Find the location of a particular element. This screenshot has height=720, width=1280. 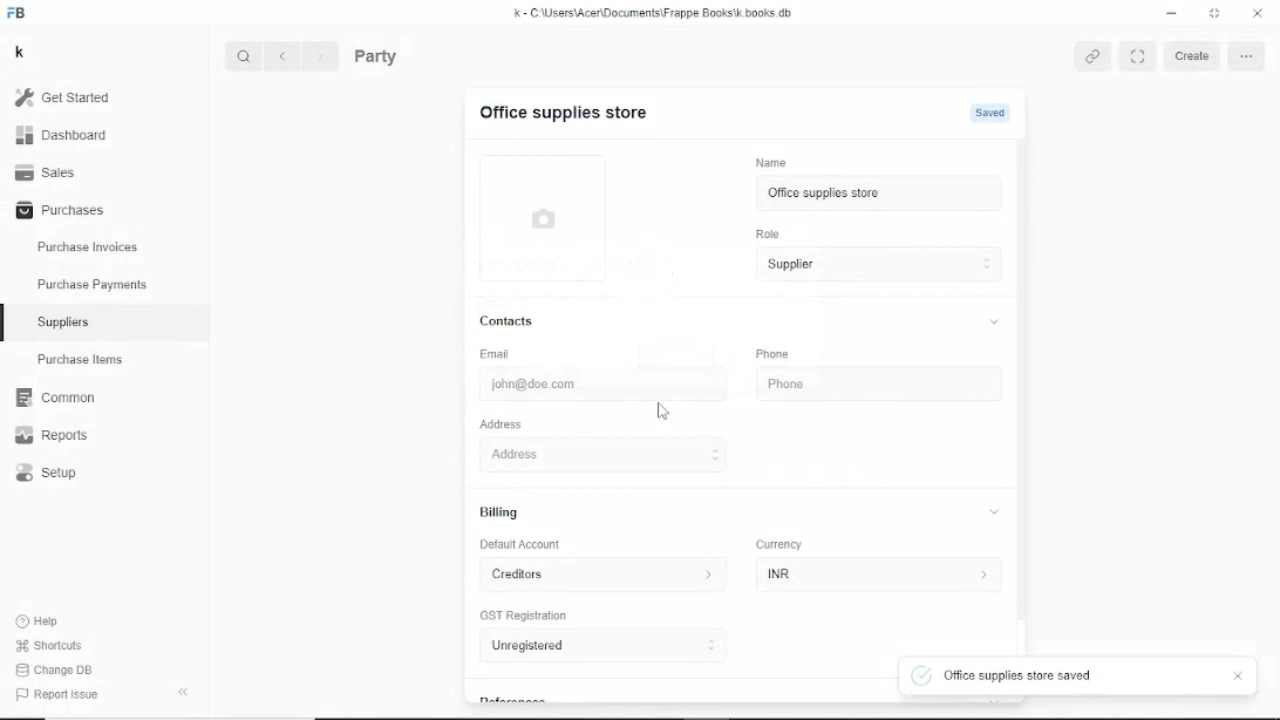

Get started is located at coordinates (63, 97).